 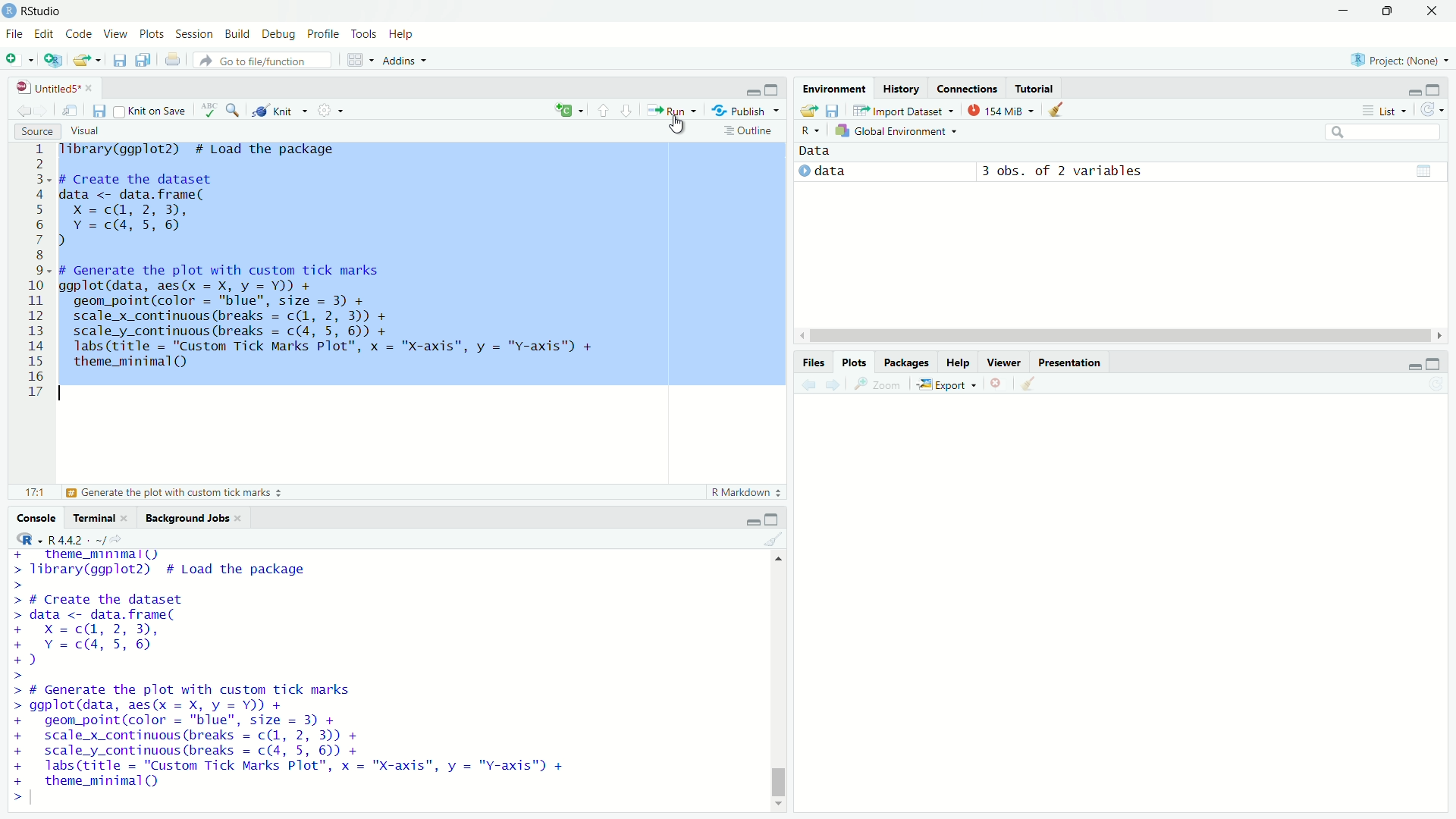 I want to click on file, so click(x=14, y=35).